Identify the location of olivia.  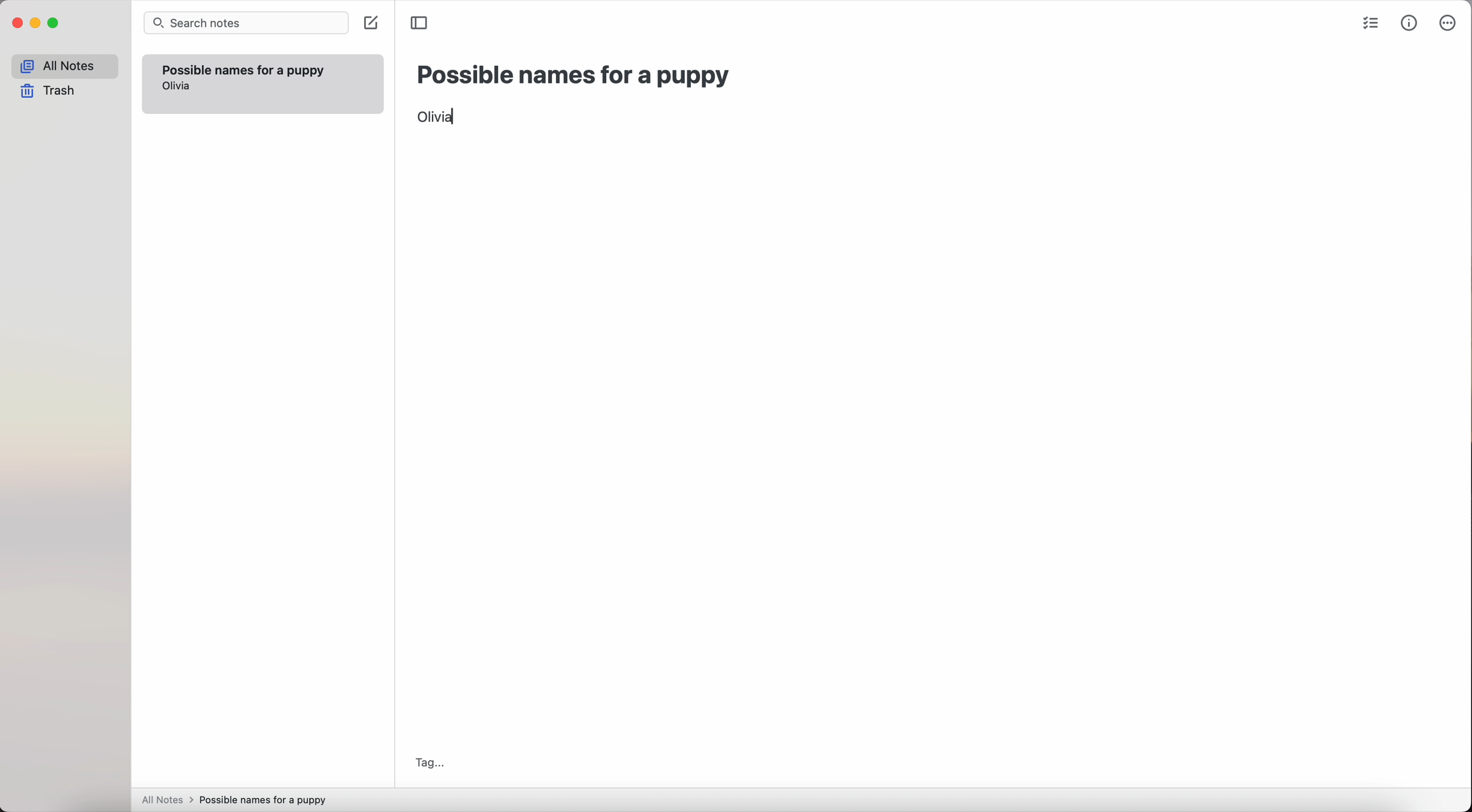
(177, 86).